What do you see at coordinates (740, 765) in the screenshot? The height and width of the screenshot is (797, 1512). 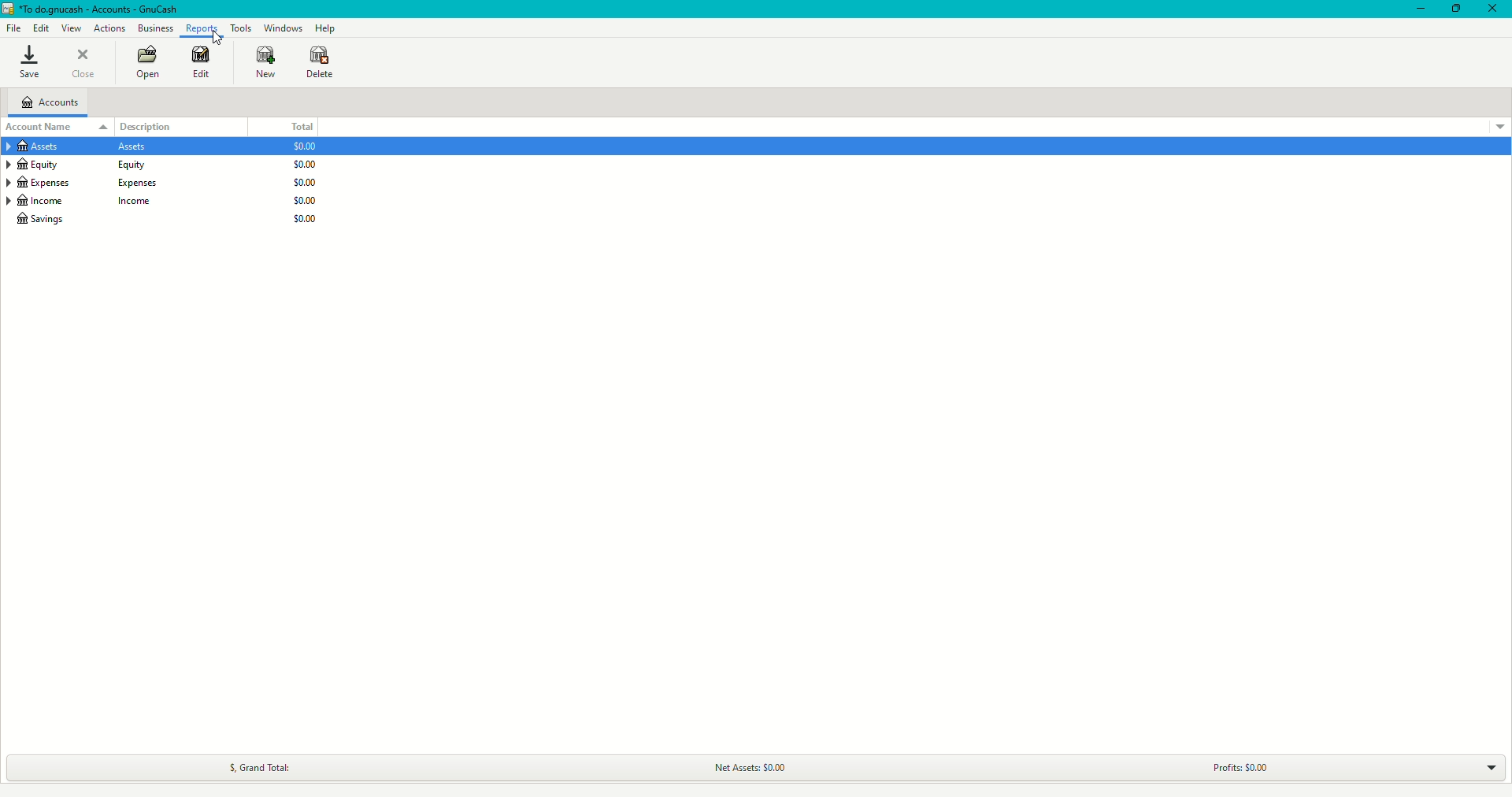 I see `Net Assets` at bounding box center [740, 765].